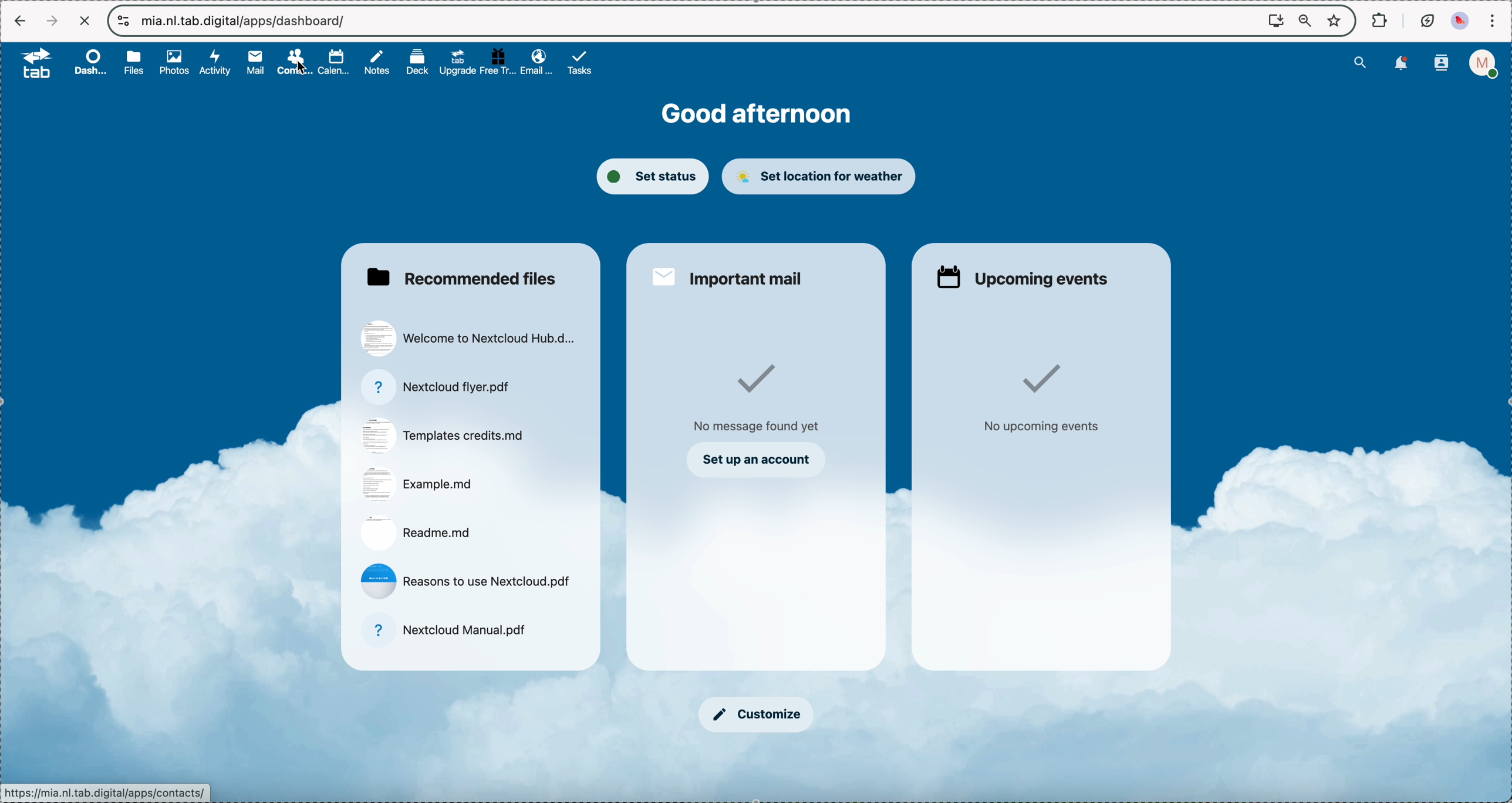 This screenshot has height=803, width=1512. Describe the element at coordinates (1483, 63) in the screenshot. I see `profile` at that location.